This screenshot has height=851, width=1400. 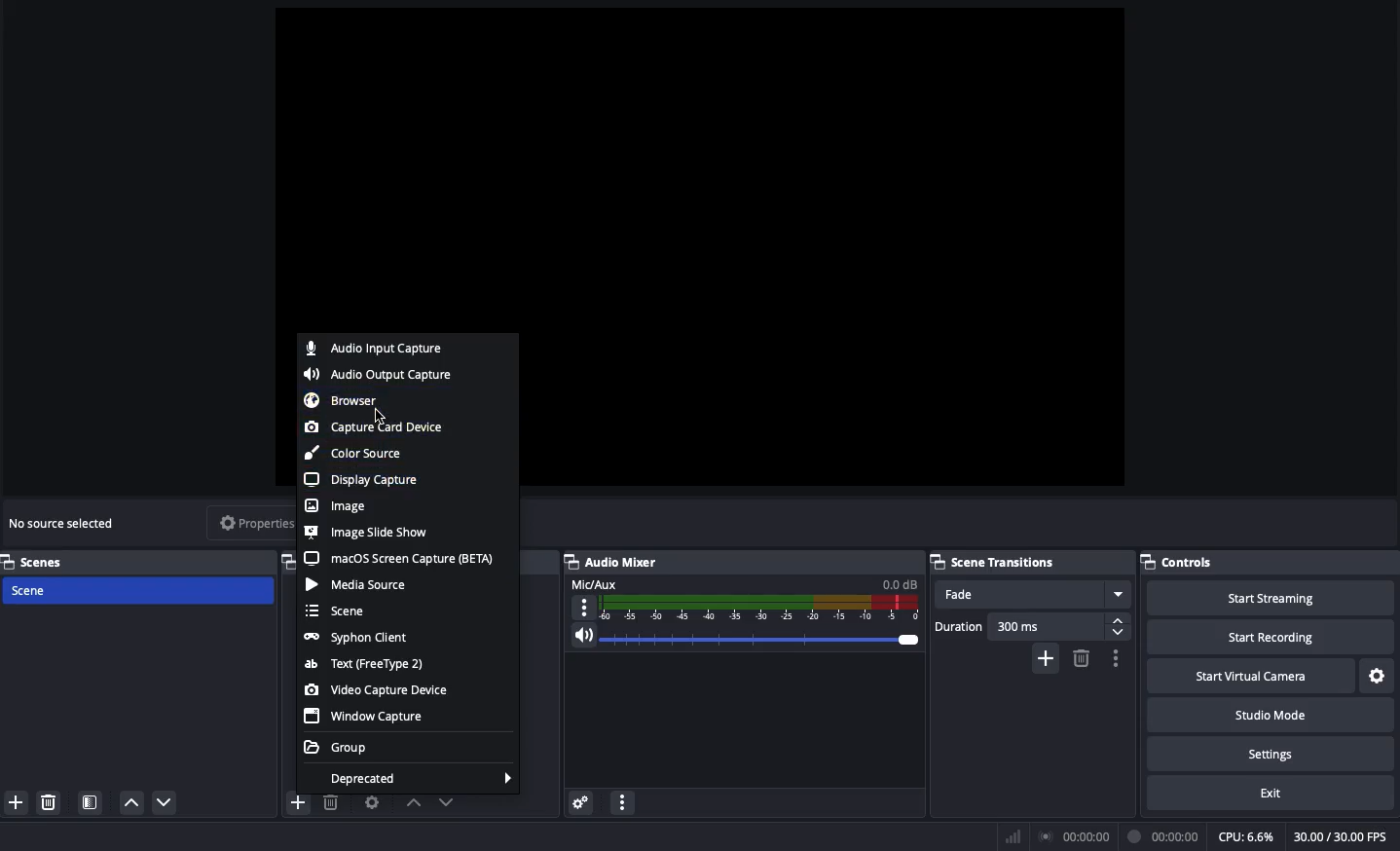 What do you see at coordinates (1270, 794) in the screenshot?
I see `Exit` at bounding box center [1270, 794].